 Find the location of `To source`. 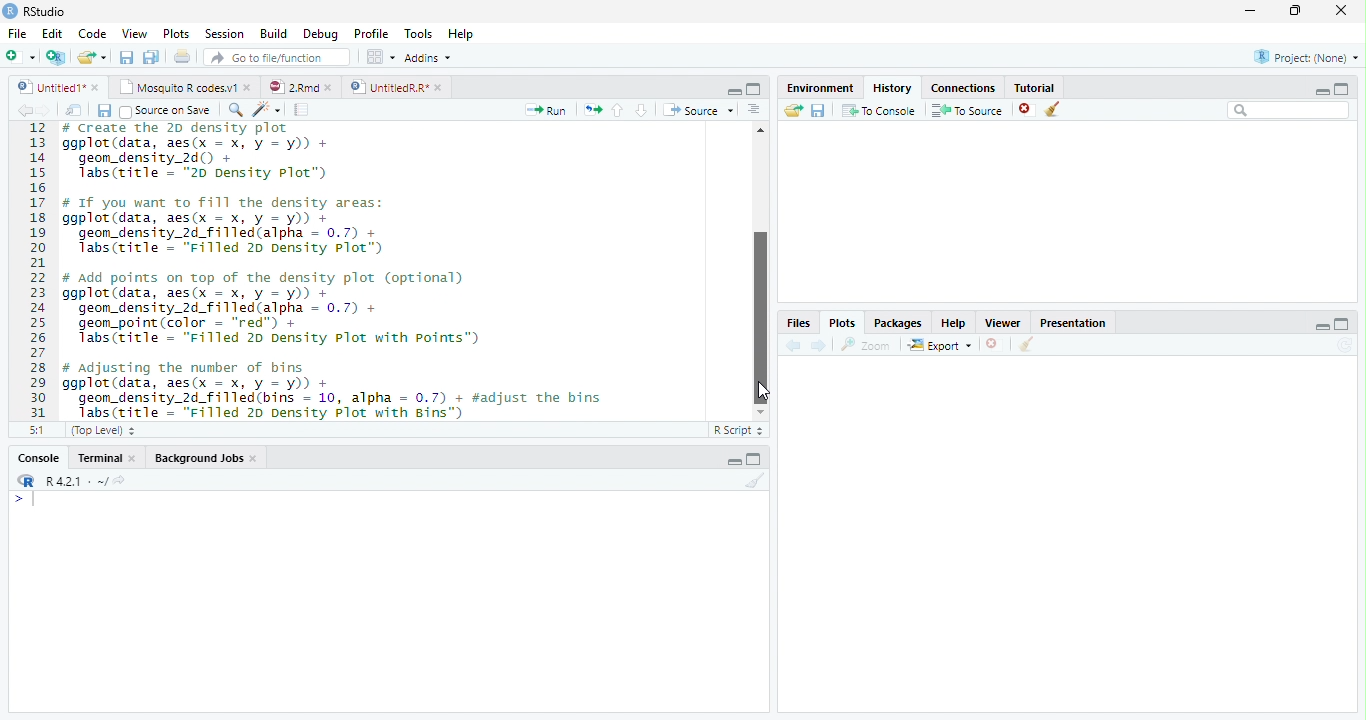

To source is located at coordinates (968, 111).